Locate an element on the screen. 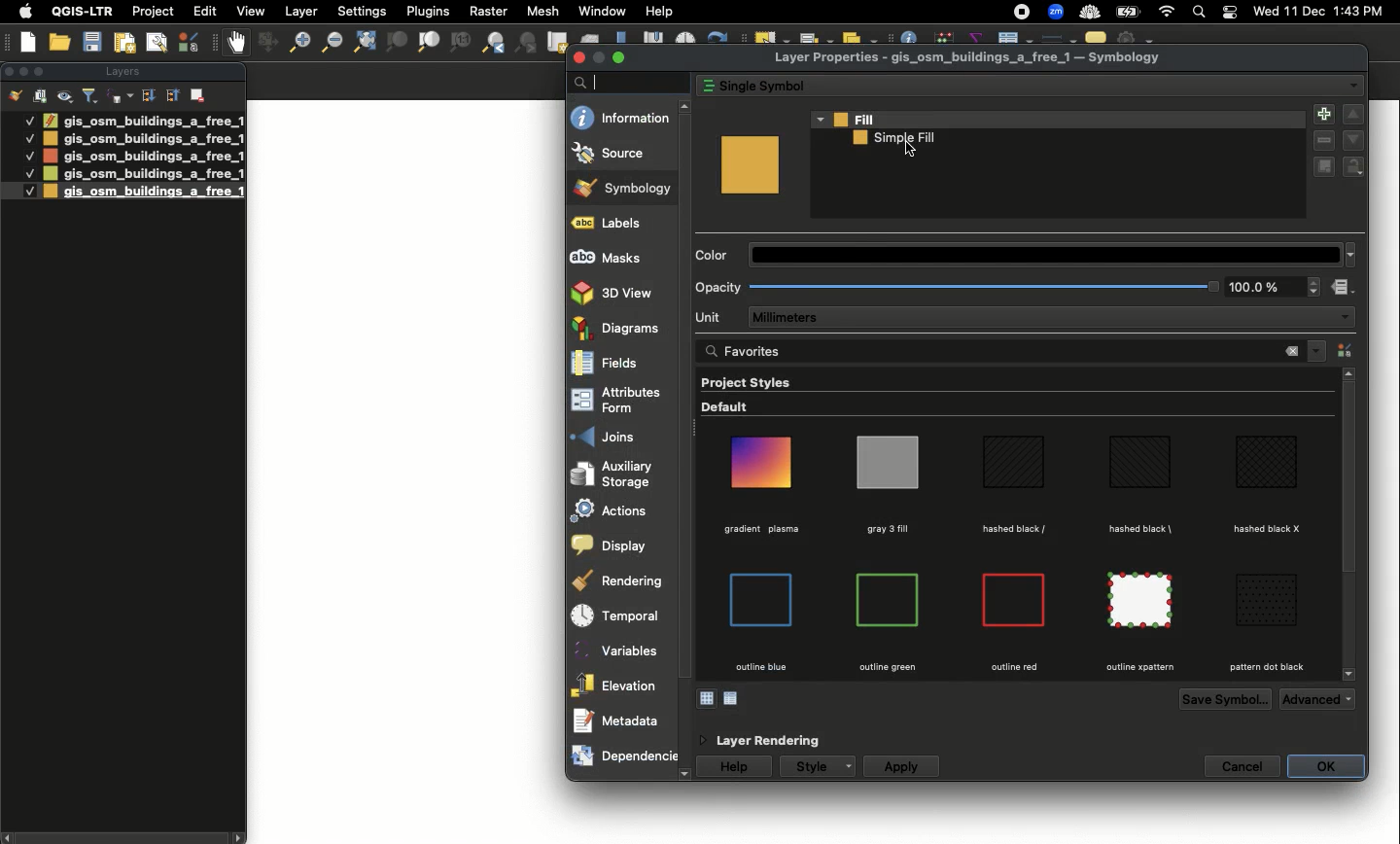 This screenshot has width=1400, height=844. hashed black X is located at coordinates (1267, 530).